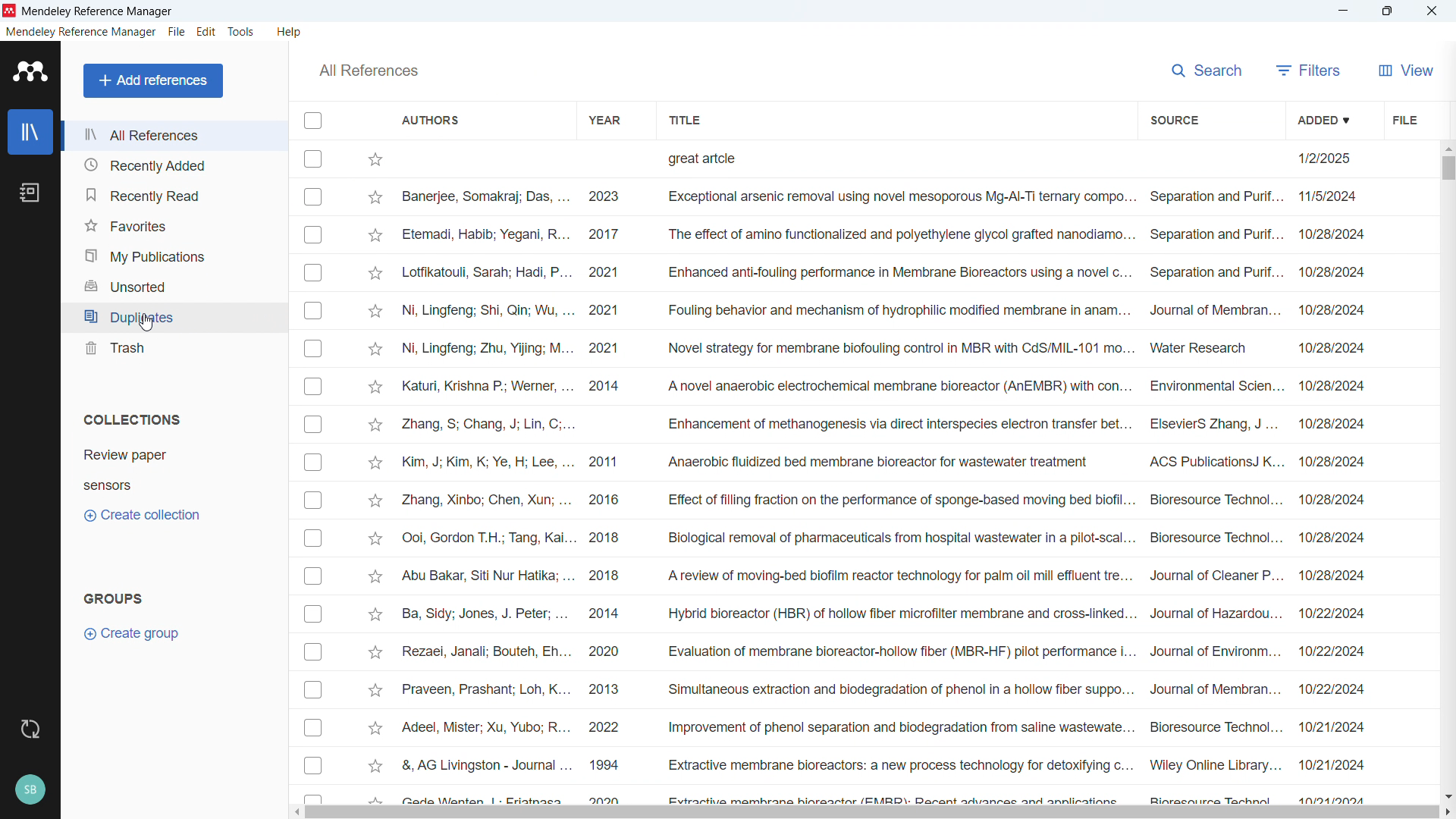 The width and height of the screenshot is (1456, 819). I want to click on Date of addition of individual entries , so click(1332, 475).